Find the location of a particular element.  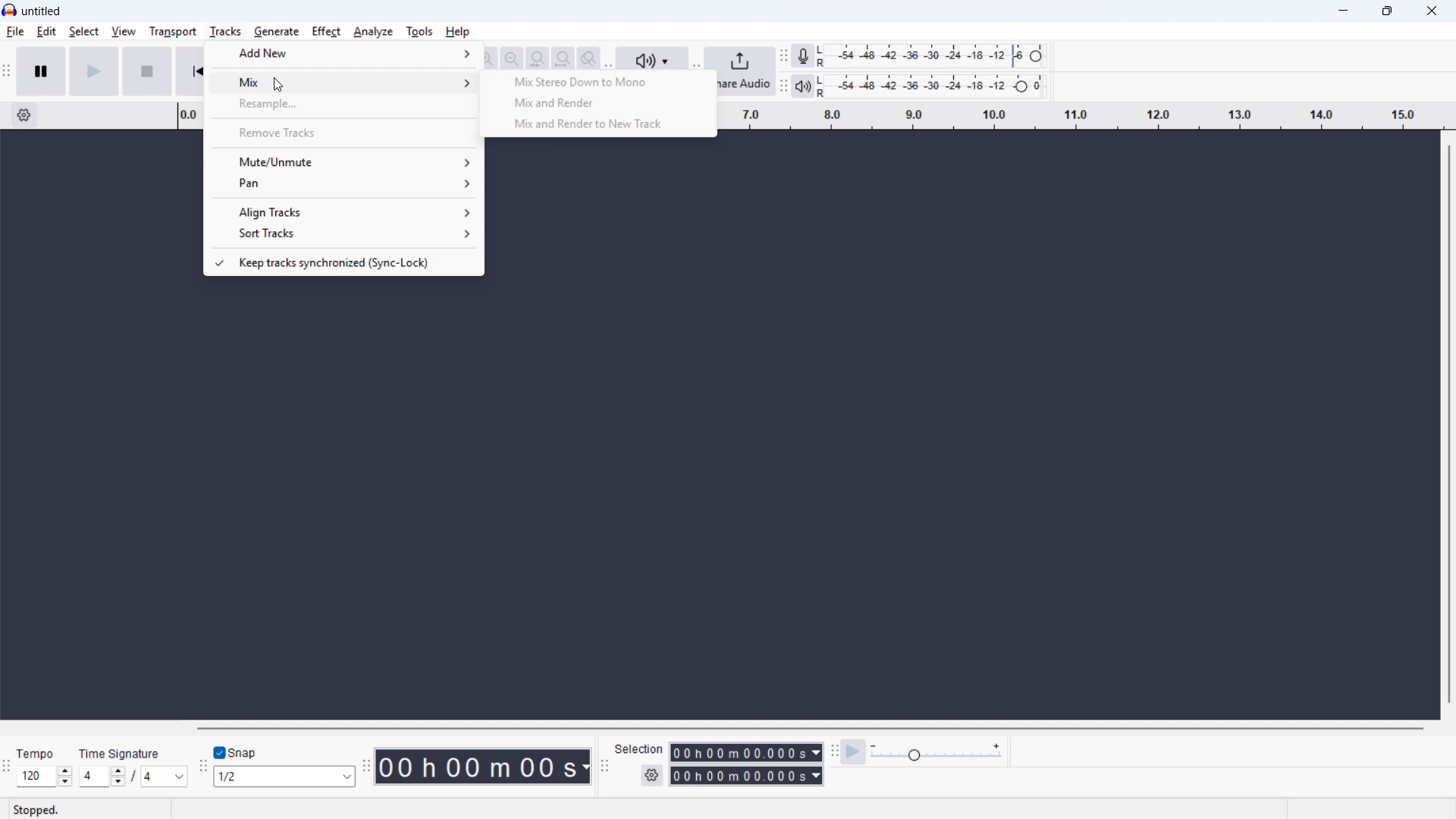

Play back speed  is located at coordinates (936, 753).